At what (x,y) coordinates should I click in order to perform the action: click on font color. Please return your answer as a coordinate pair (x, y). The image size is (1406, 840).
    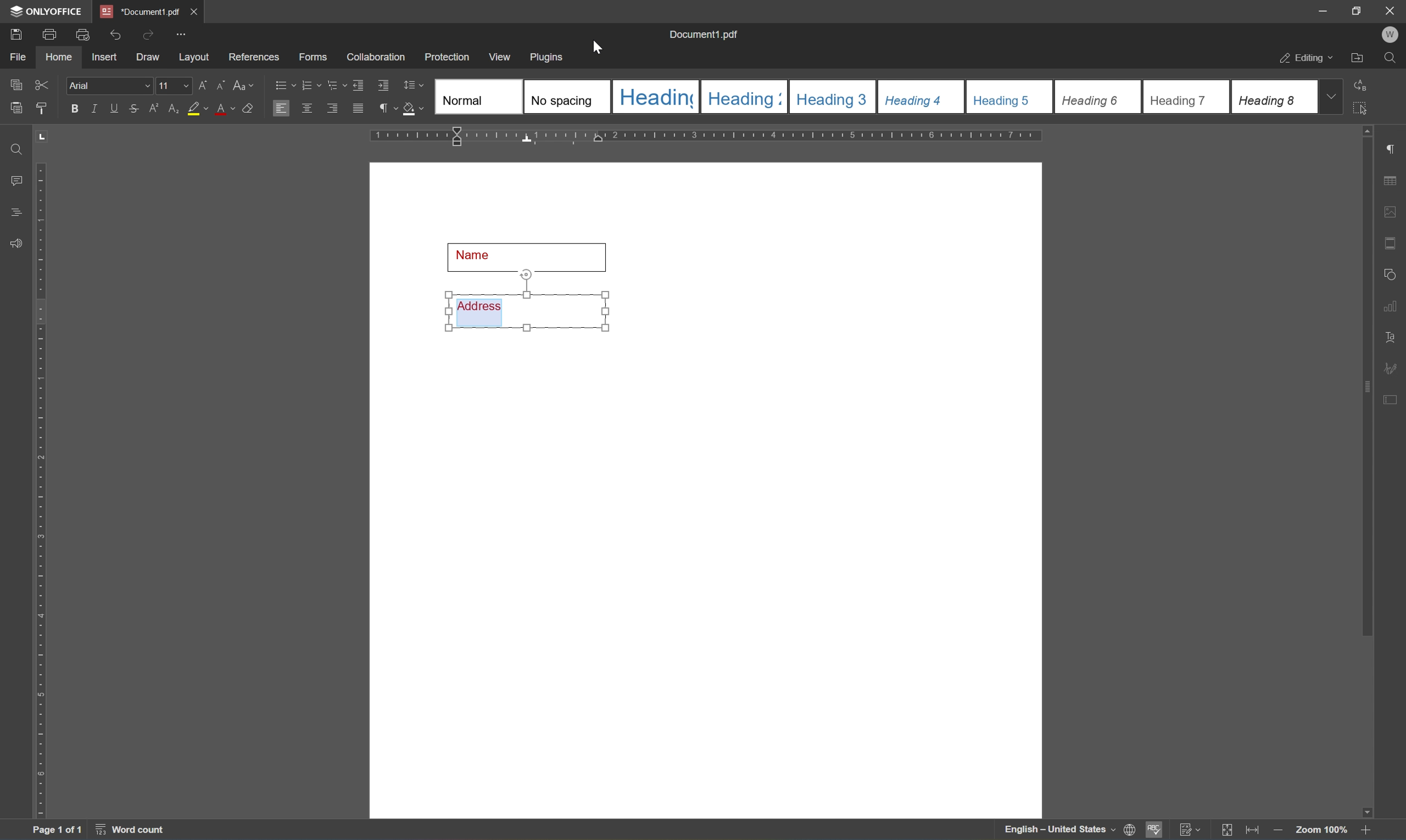
    Looking at the image, I should click on (224, 109).